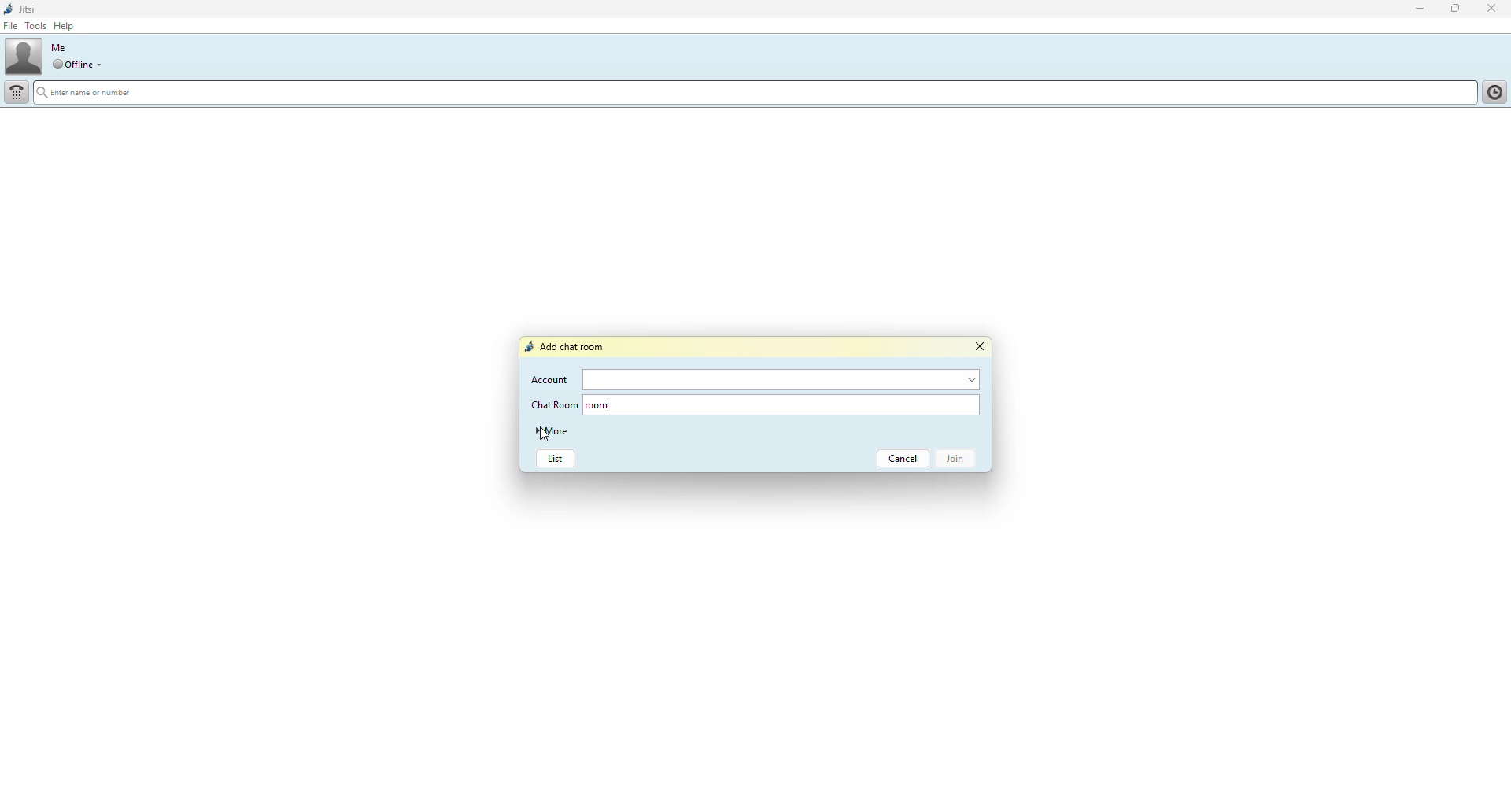  I want to click on join, so click(960, 459).